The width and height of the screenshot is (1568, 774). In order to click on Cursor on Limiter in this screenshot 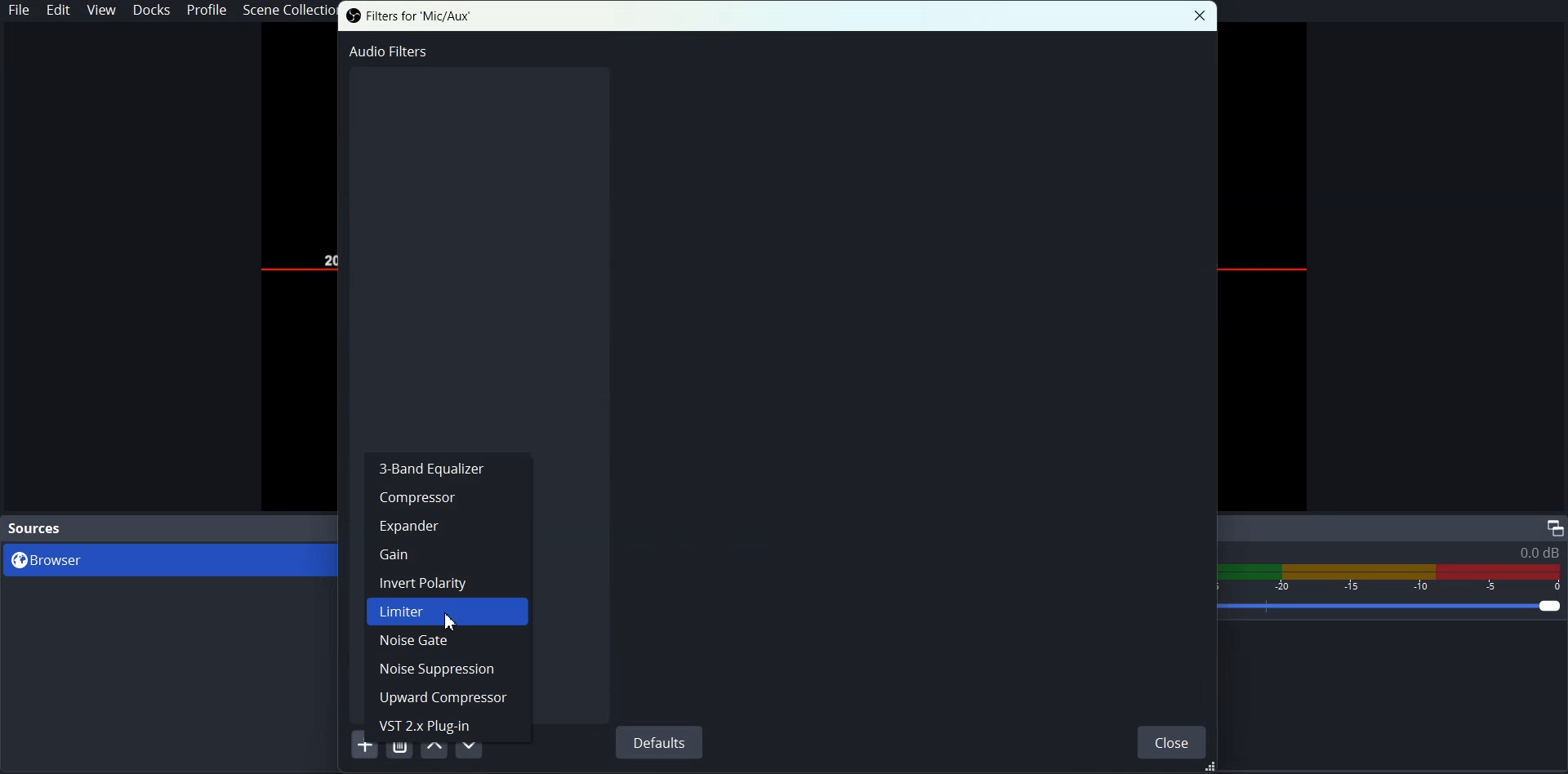, I will do `click(454, 624)`.